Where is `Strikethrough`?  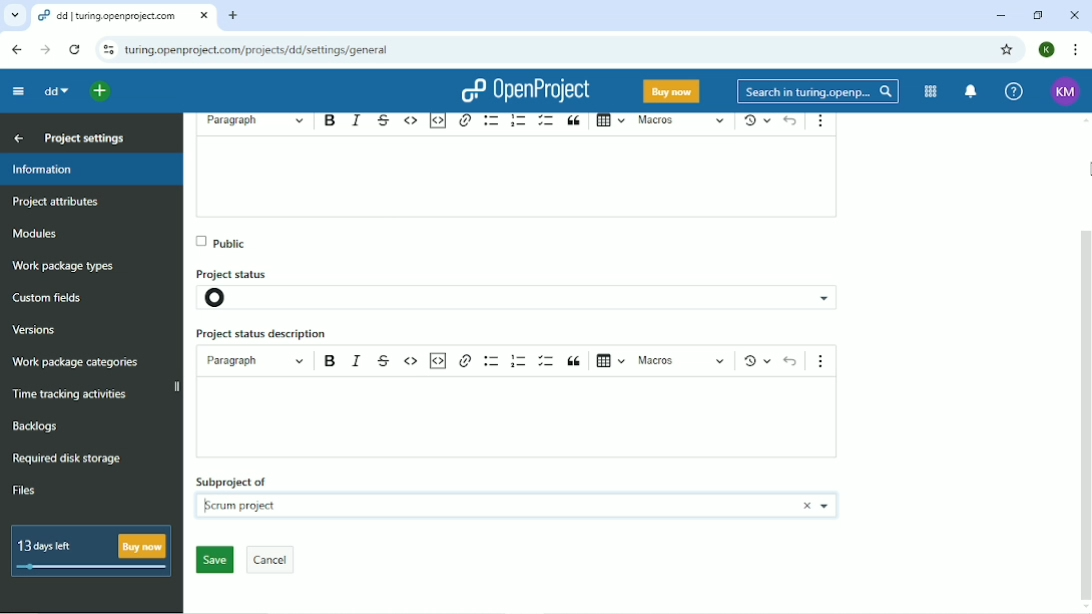 Strikethrough is located at coordinates (384, 359).